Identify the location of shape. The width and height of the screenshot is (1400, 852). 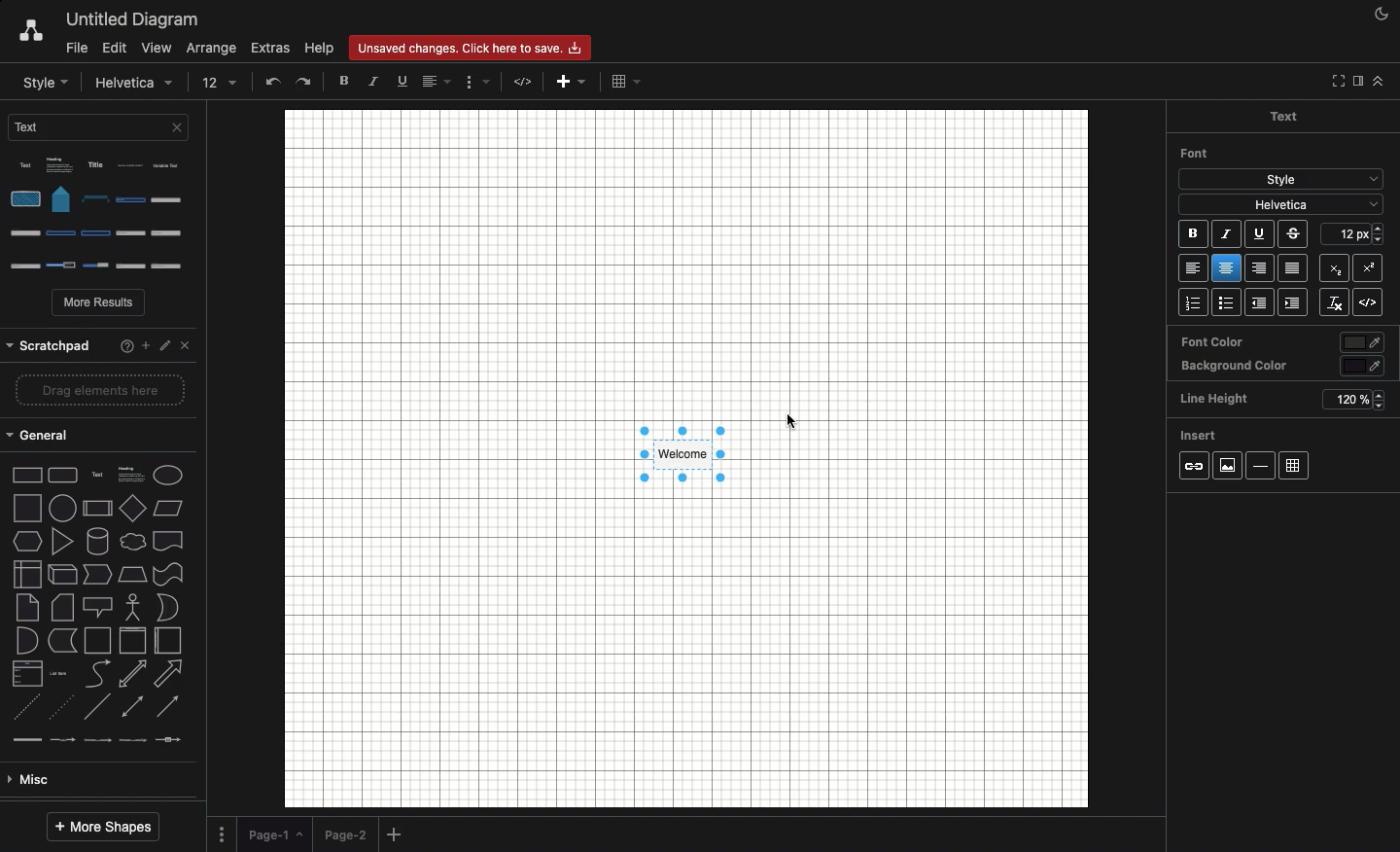
(99, 438).